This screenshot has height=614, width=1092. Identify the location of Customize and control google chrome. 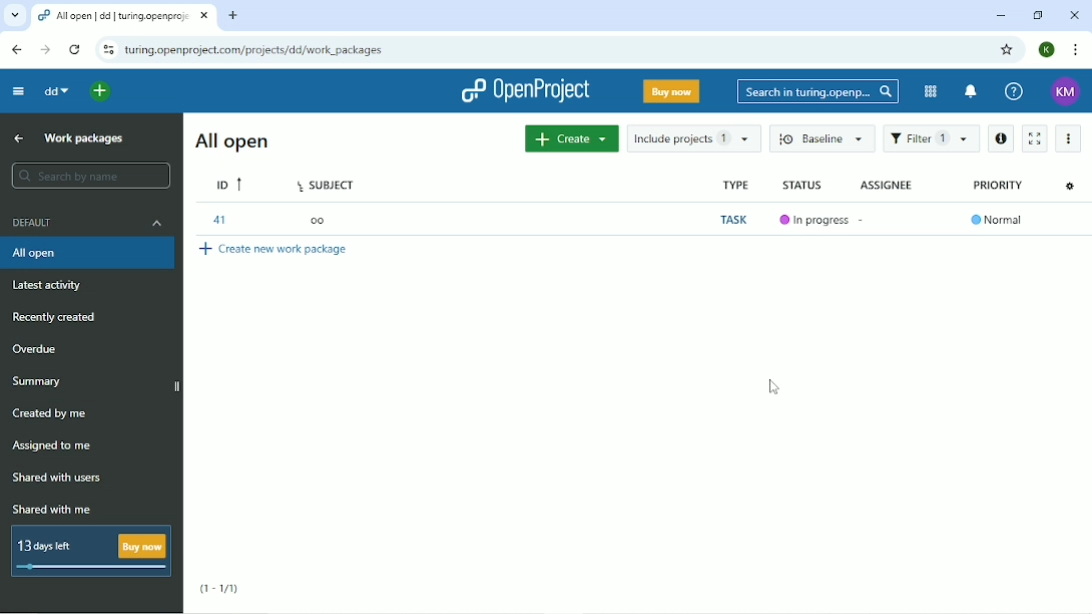
(1075, 51).